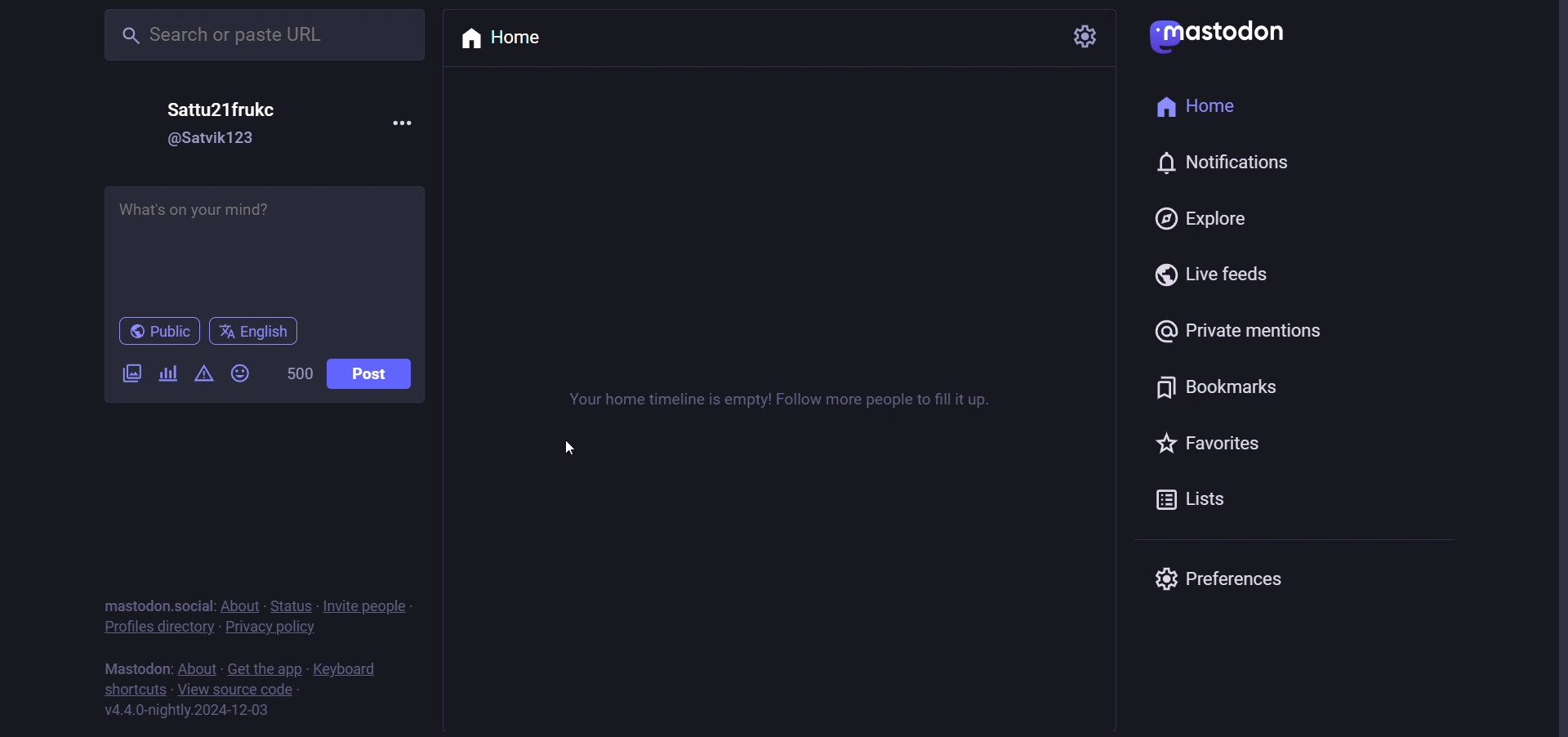 This screenshot has width=1568, height=737. What do you see at coordinates (244, 371) in the screenshot?
I see `emoji` at bounding box center [244, 371].